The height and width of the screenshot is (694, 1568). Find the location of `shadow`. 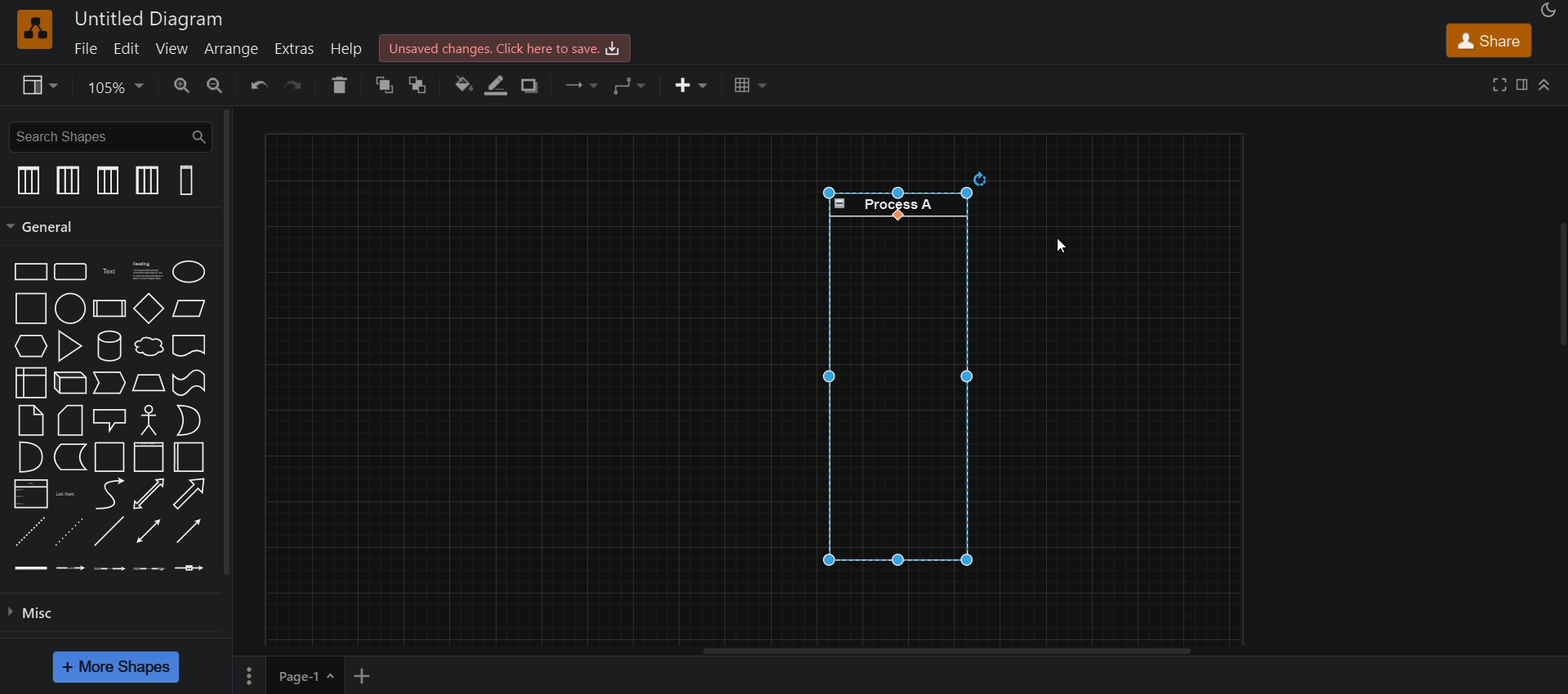

shadow is located at coordinates (536, 87).